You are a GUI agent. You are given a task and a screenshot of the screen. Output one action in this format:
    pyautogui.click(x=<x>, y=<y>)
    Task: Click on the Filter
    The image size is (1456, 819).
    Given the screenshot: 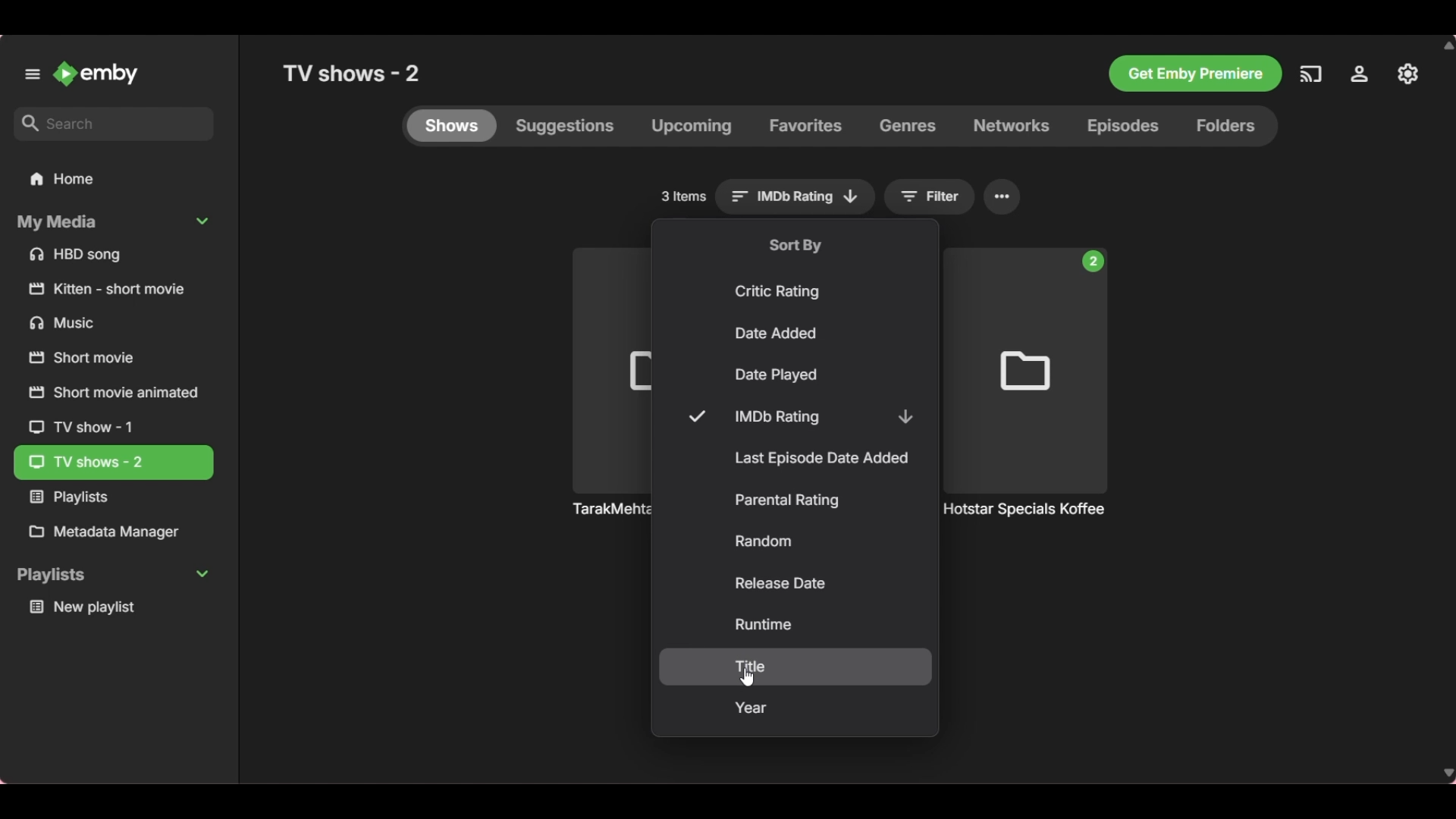 What is the action you would take?
    pyautogui.click(x=930, y=197)
    